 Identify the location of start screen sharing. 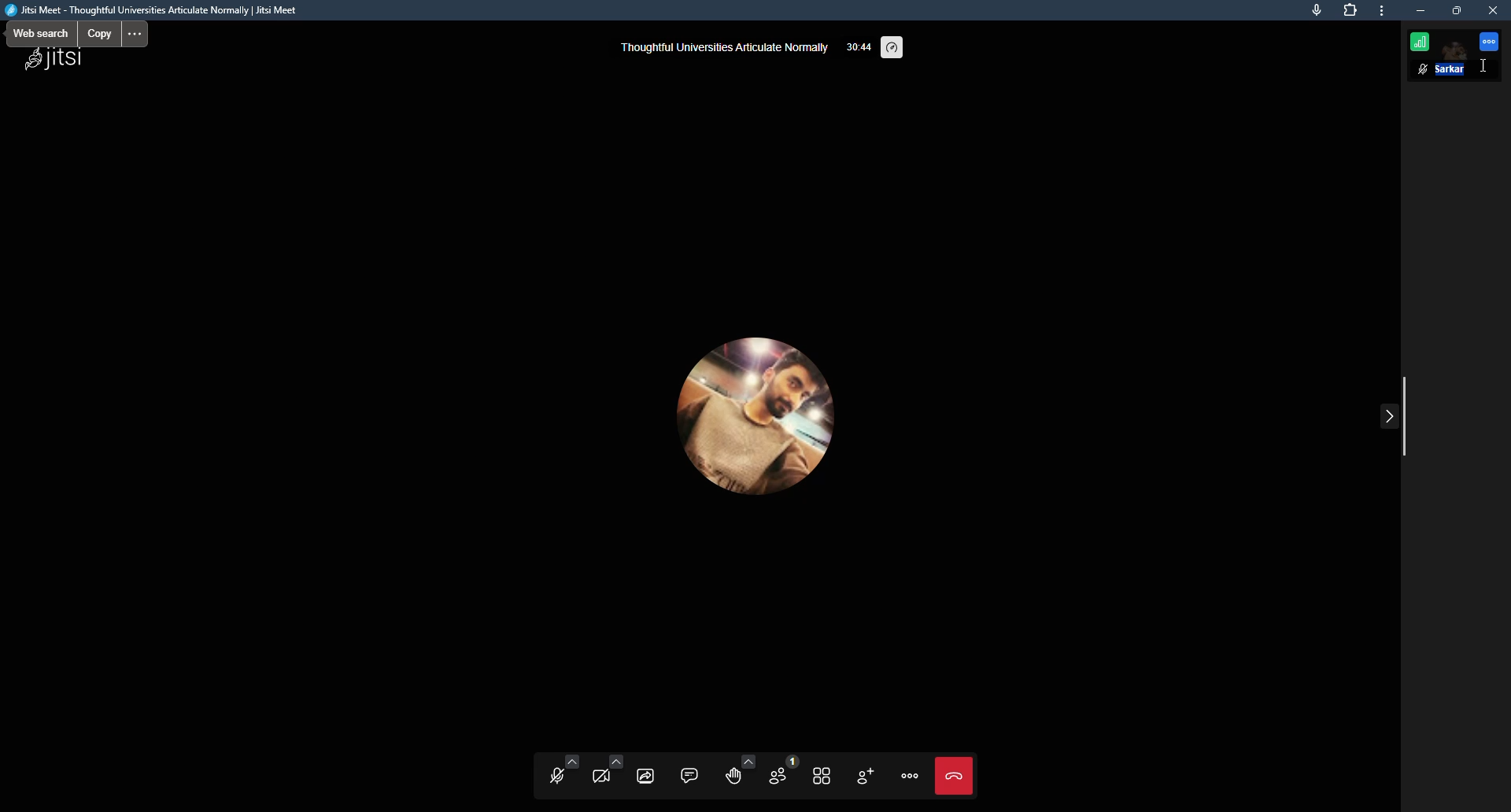
(648, 773).